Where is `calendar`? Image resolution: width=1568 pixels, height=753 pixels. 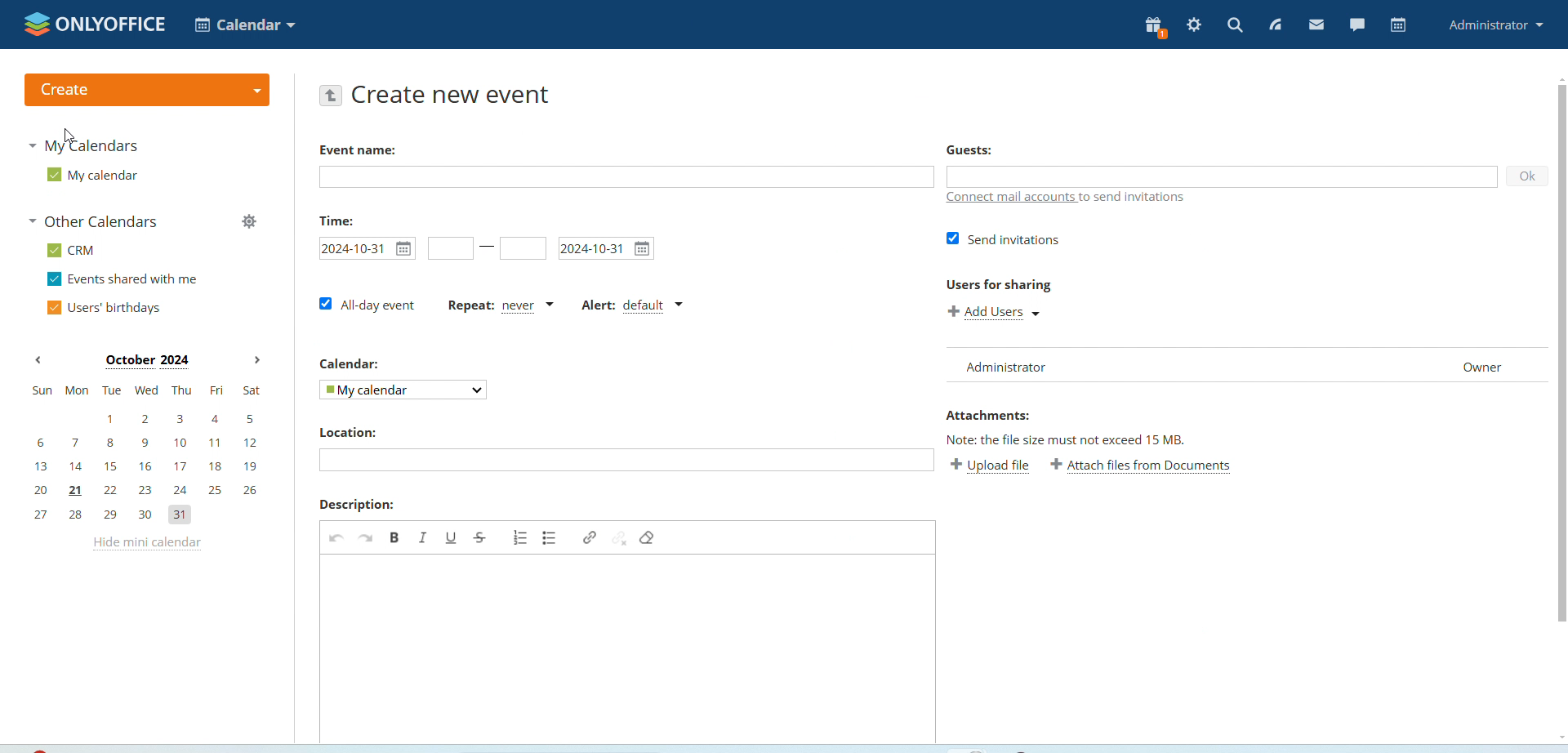
calendar is located at coordinates (1400, 25).